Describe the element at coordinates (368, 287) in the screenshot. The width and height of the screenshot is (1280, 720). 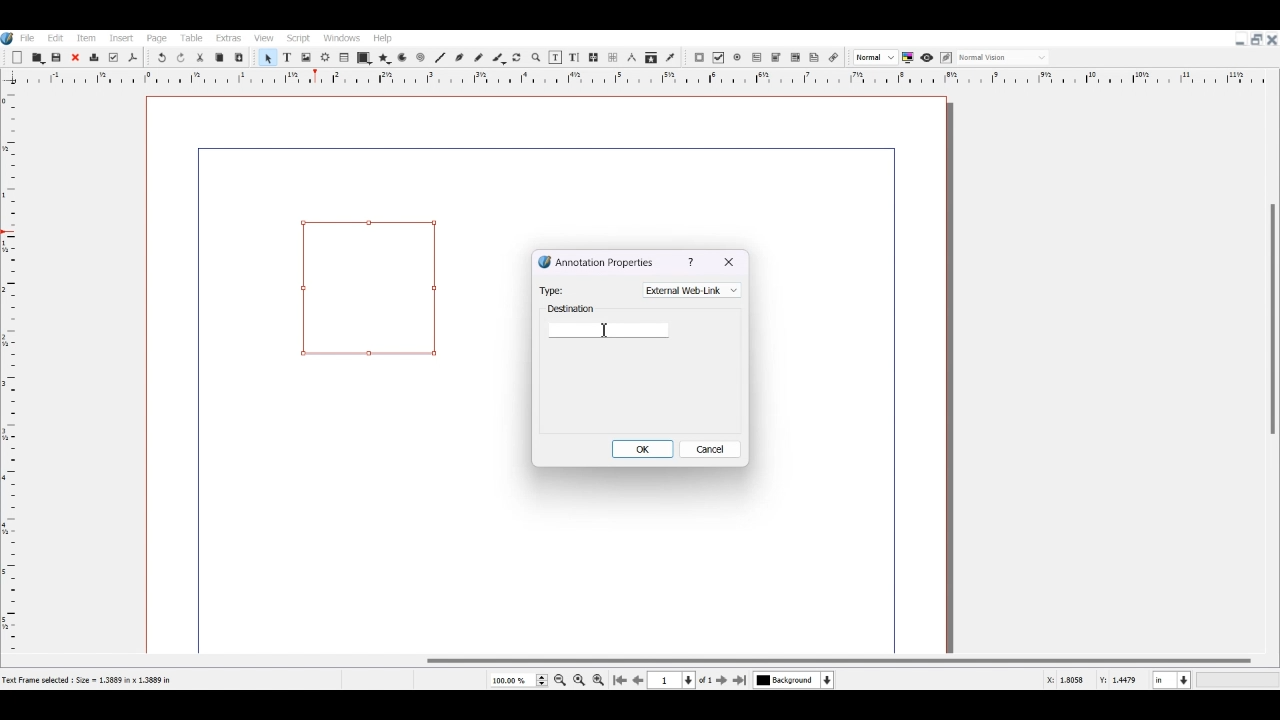
I see `Link Annotation` at that location.